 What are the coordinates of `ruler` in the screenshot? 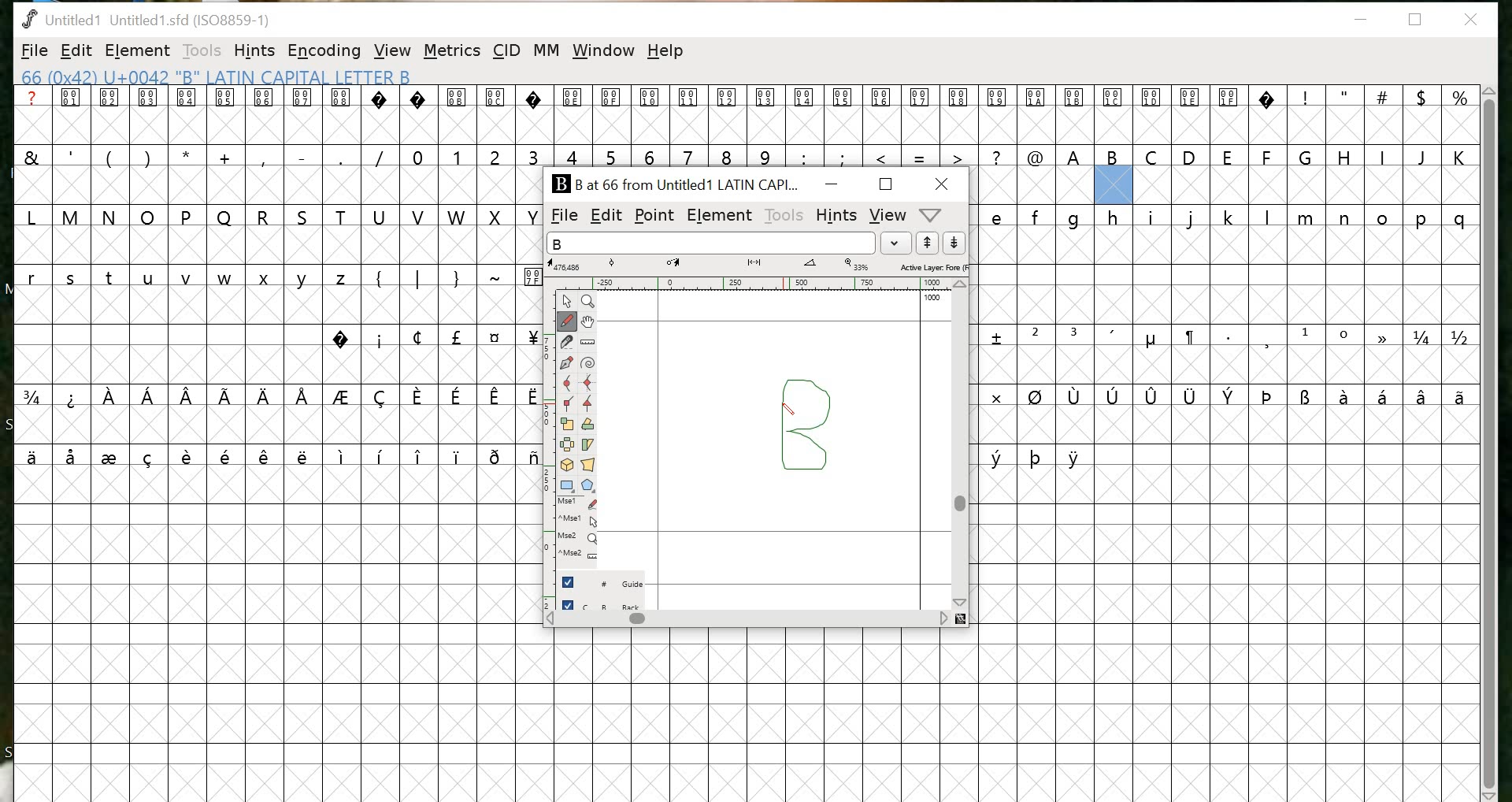 It's located at (547, 451).